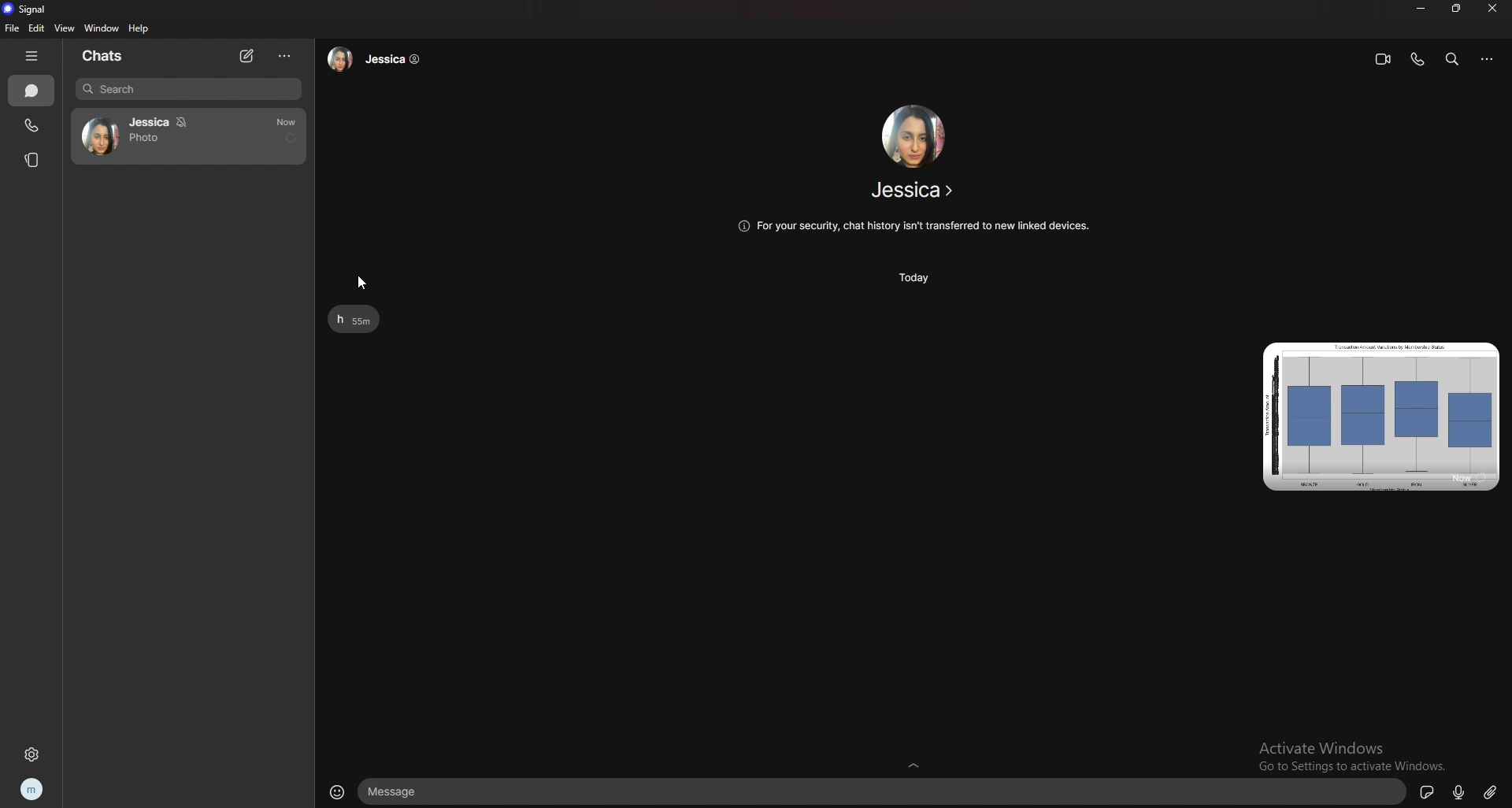 The image size is (1512, 808). I want to click on help, so click(138, 28).